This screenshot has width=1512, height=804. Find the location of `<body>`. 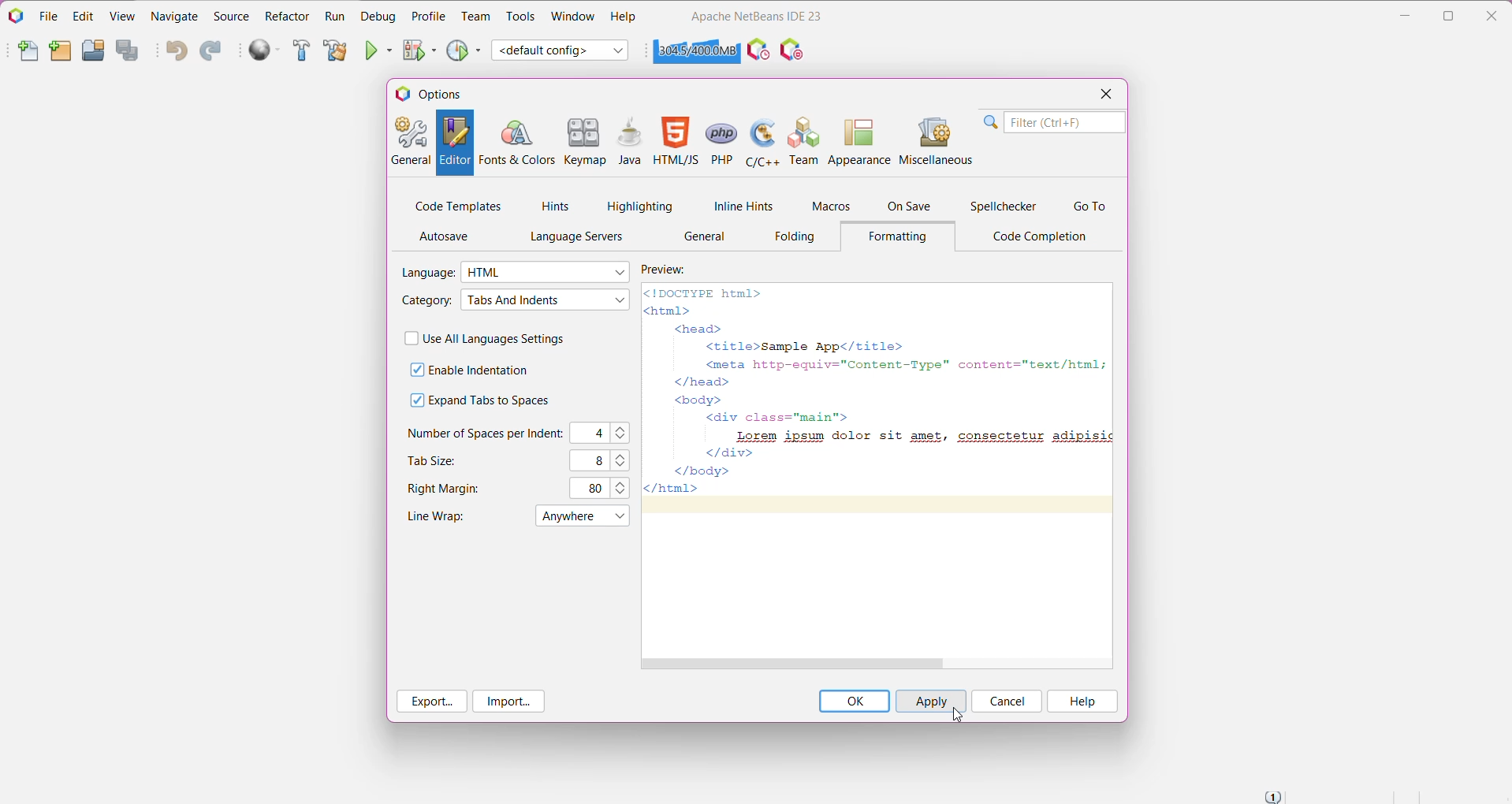

<body> is located at coordinates (692, 399).